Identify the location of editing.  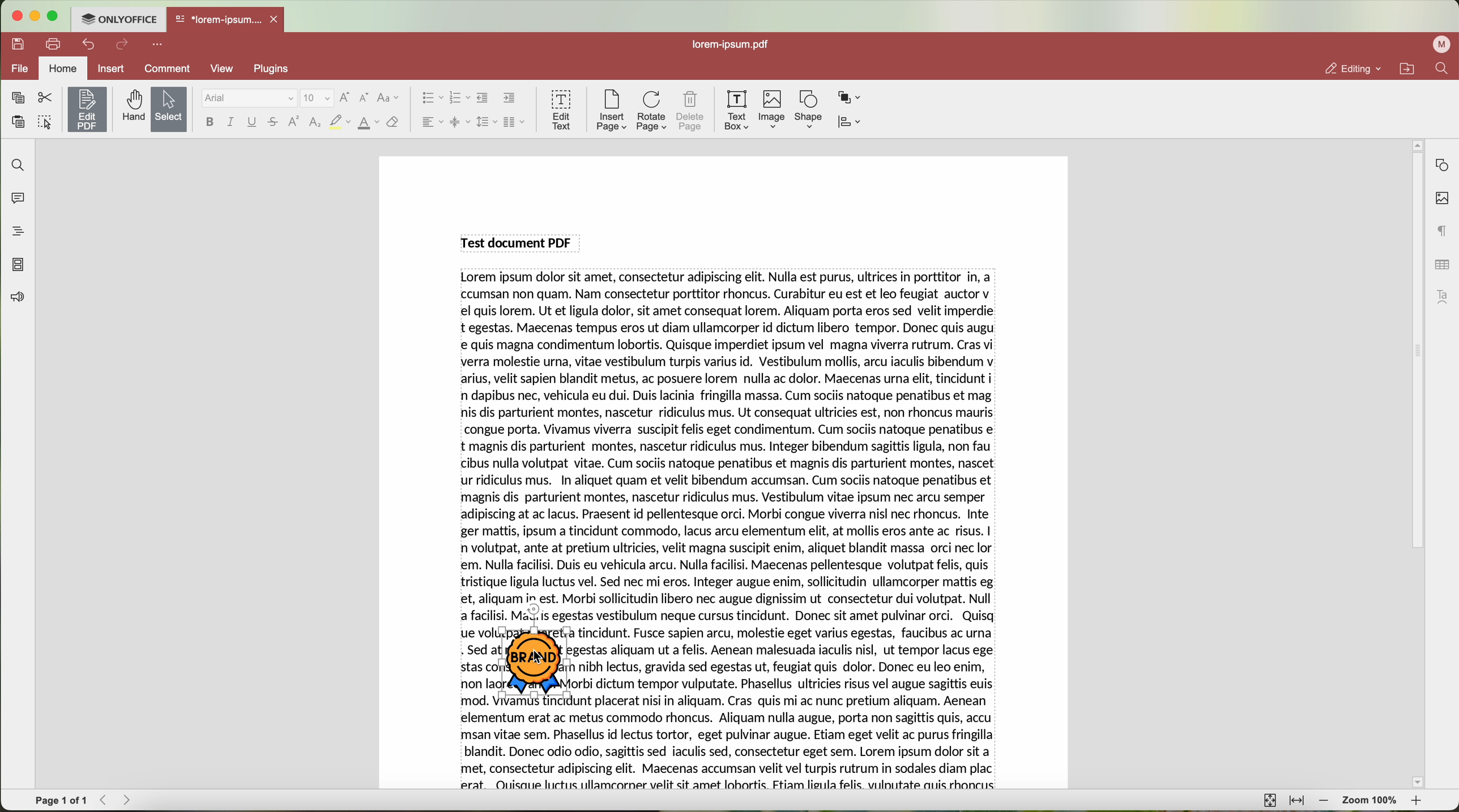
(1352, 69).